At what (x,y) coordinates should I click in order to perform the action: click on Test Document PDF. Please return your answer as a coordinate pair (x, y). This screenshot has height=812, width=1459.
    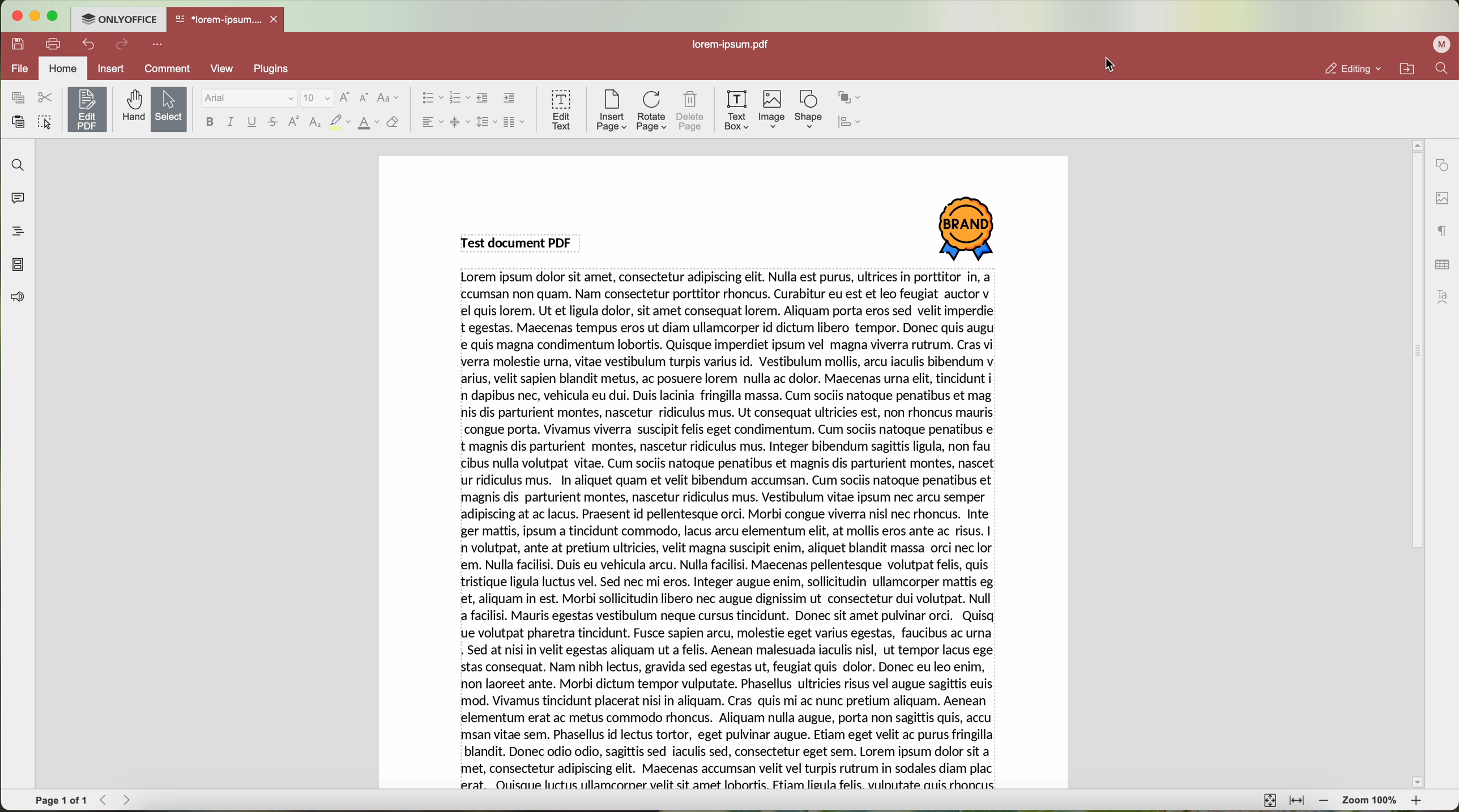
    Looking at the image, I should click on (518, 244).